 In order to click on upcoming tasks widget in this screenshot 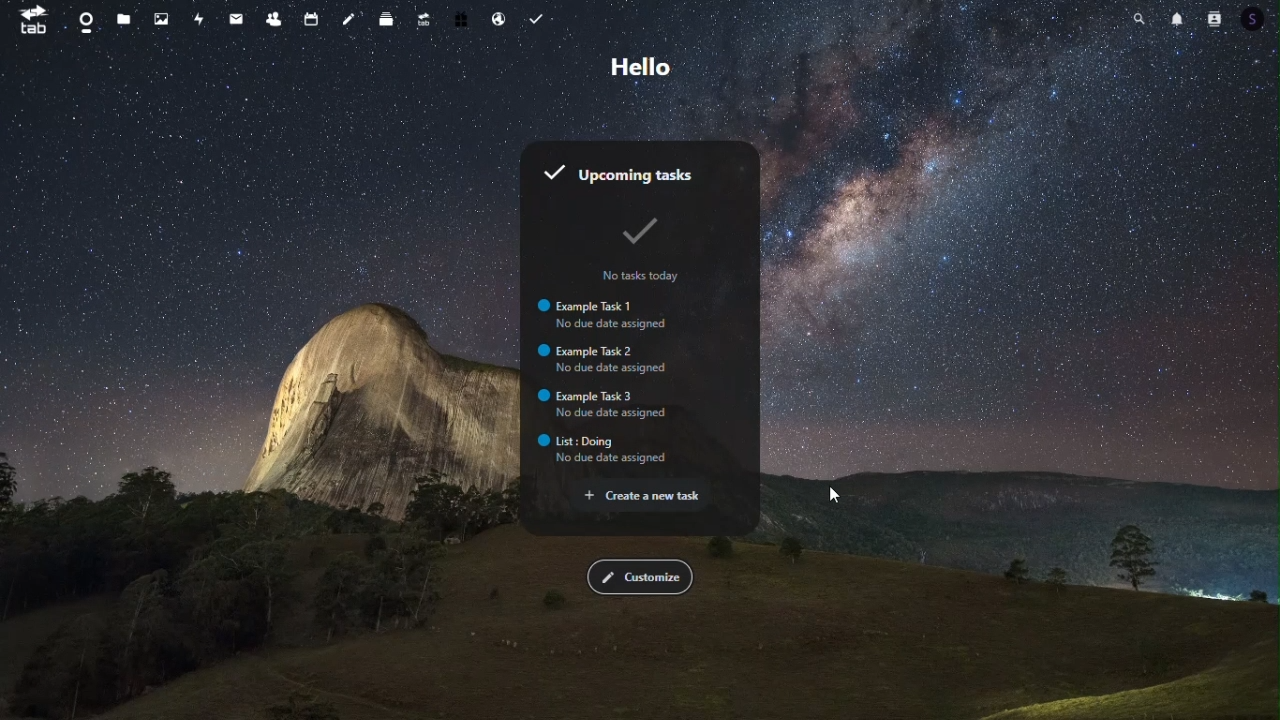, I will do `click(638, 164)`.